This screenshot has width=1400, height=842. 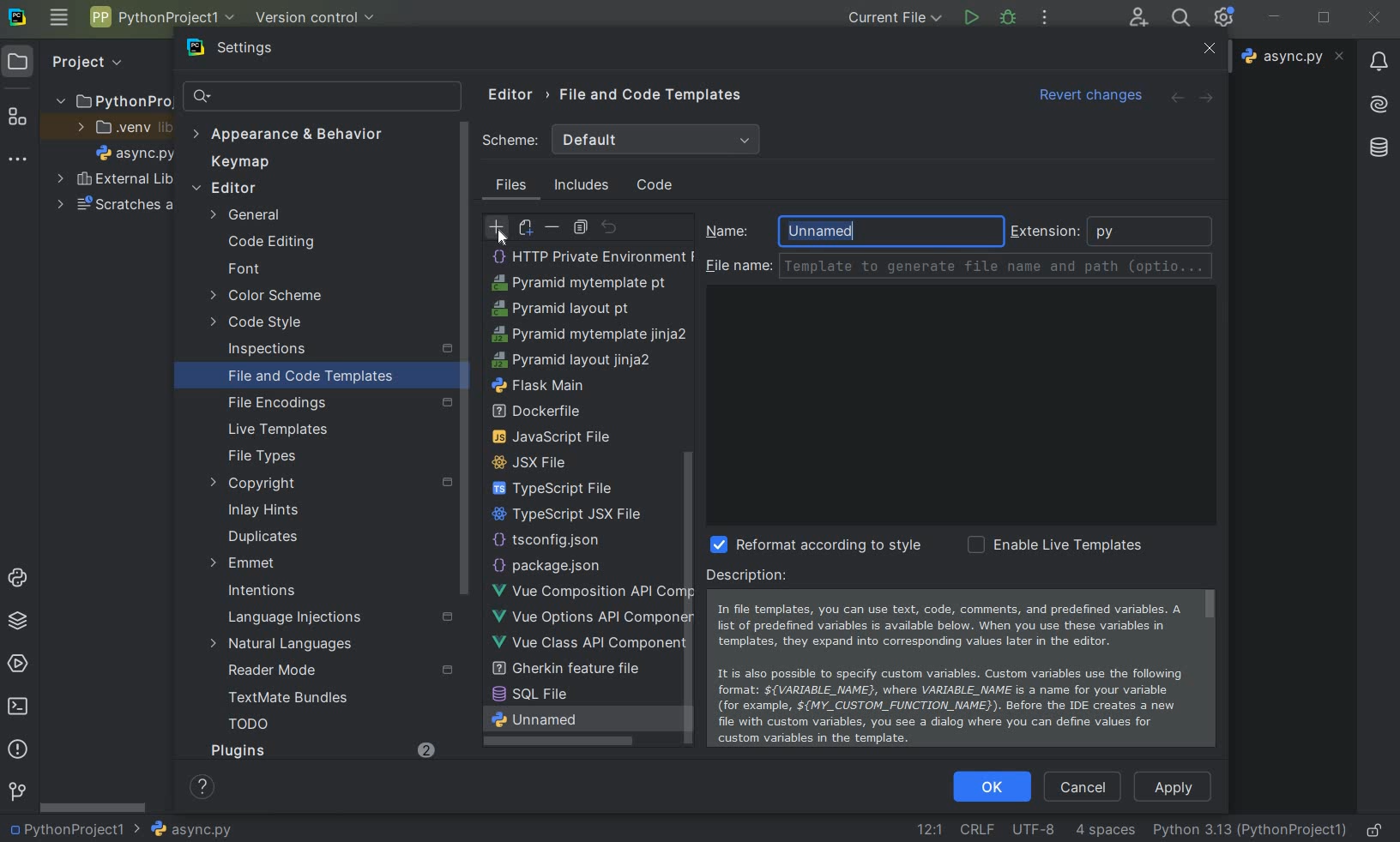 I want to click on apply, so click(x=1174, y=785).